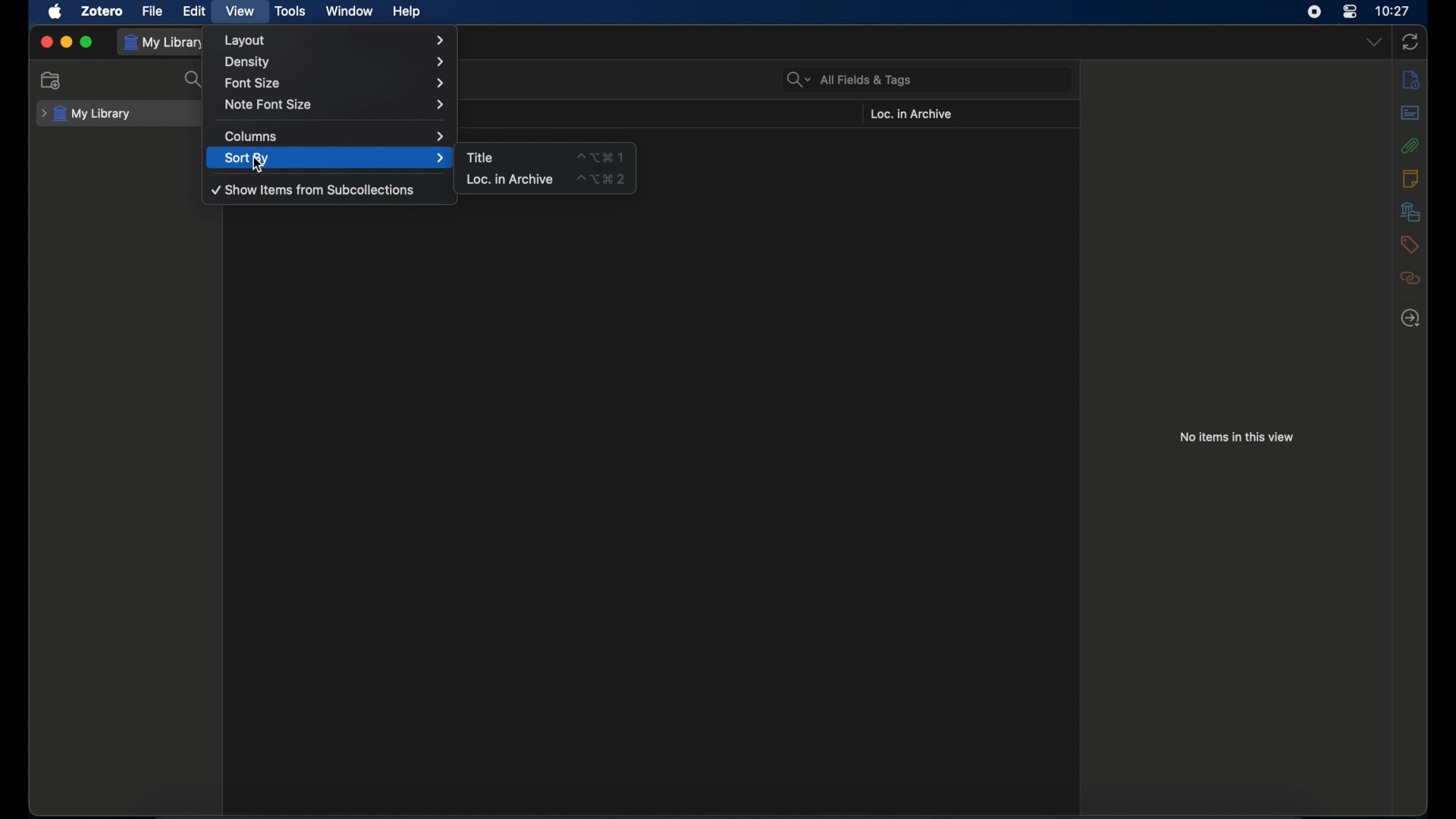 The width and height of the screenshot is (1456, 819). I want to click on note font size, so click(334, 104).